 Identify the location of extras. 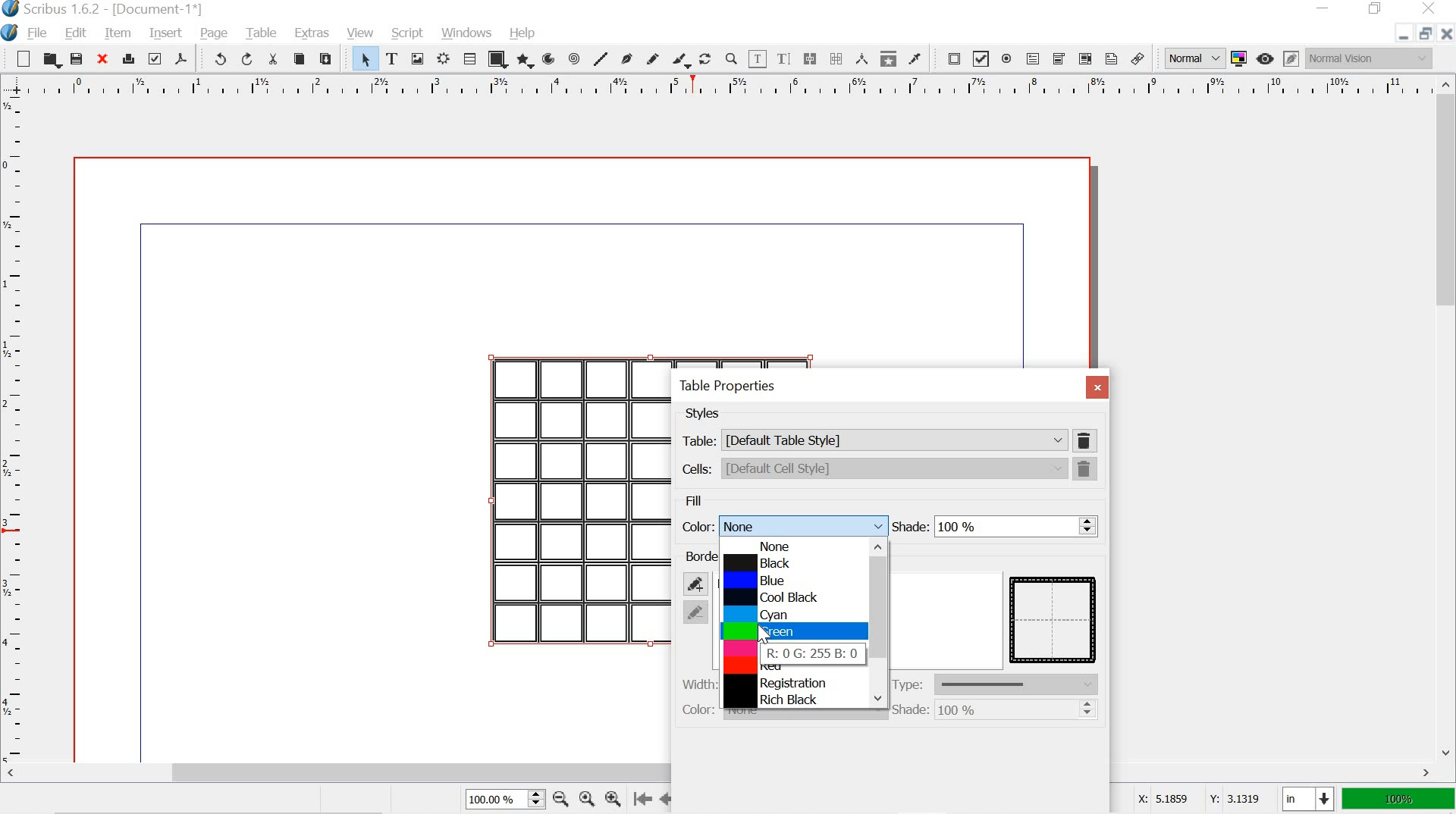
(309, 35).